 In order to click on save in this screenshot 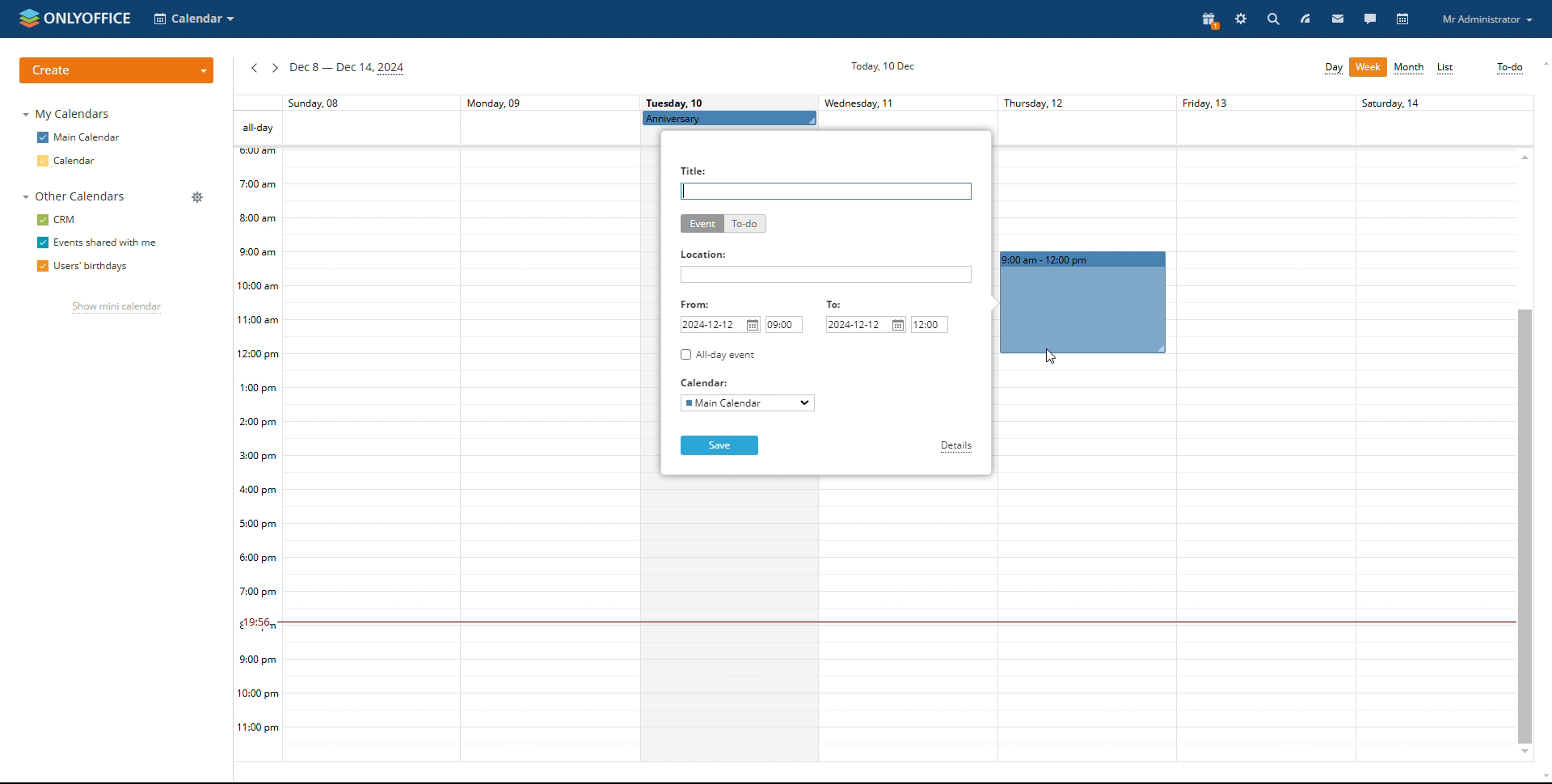, I will do `click(719, 445)`.